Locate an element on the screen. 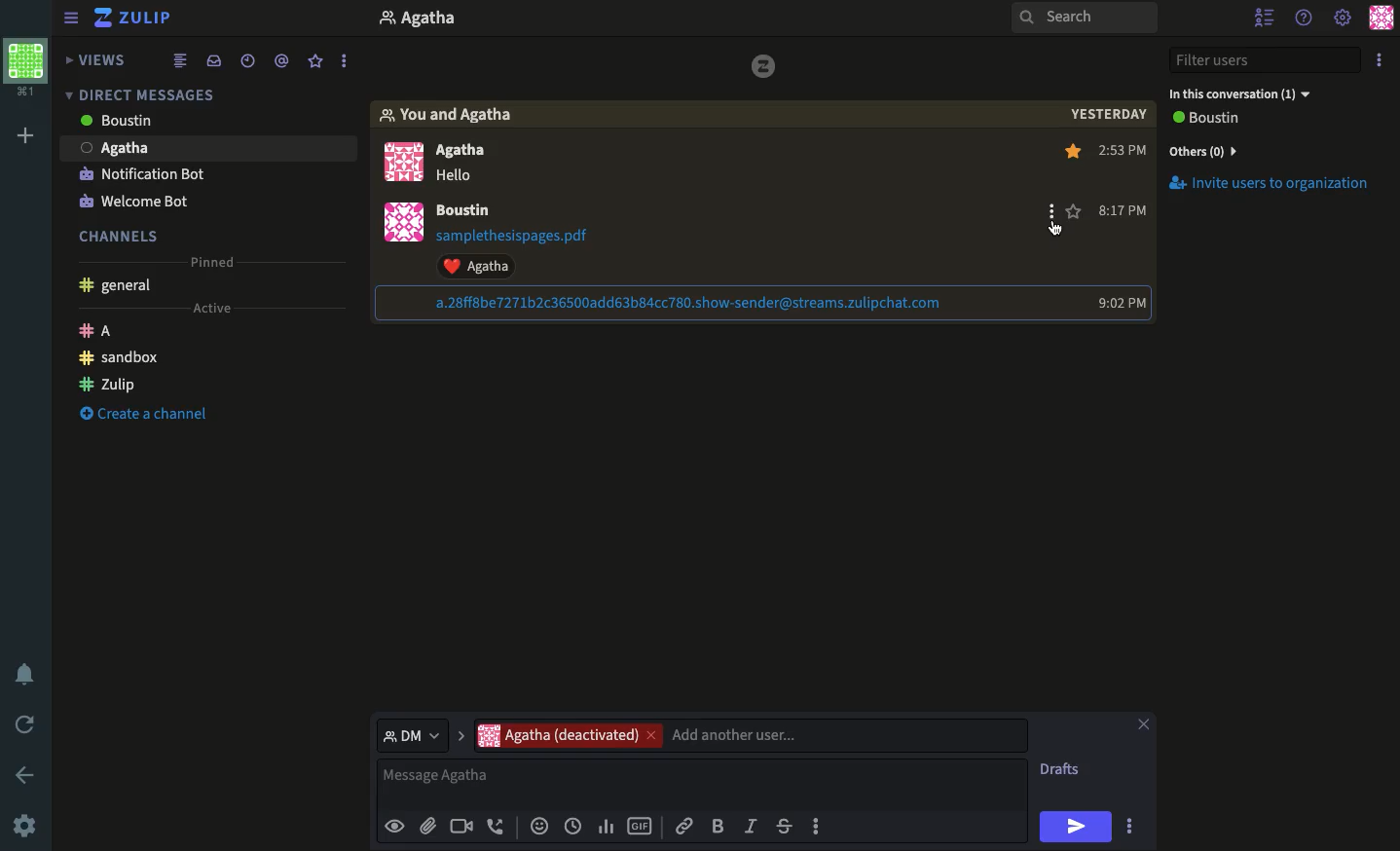 The width and height of the screenshot is (1400, 851). Add is located at coordinates (25, 138).